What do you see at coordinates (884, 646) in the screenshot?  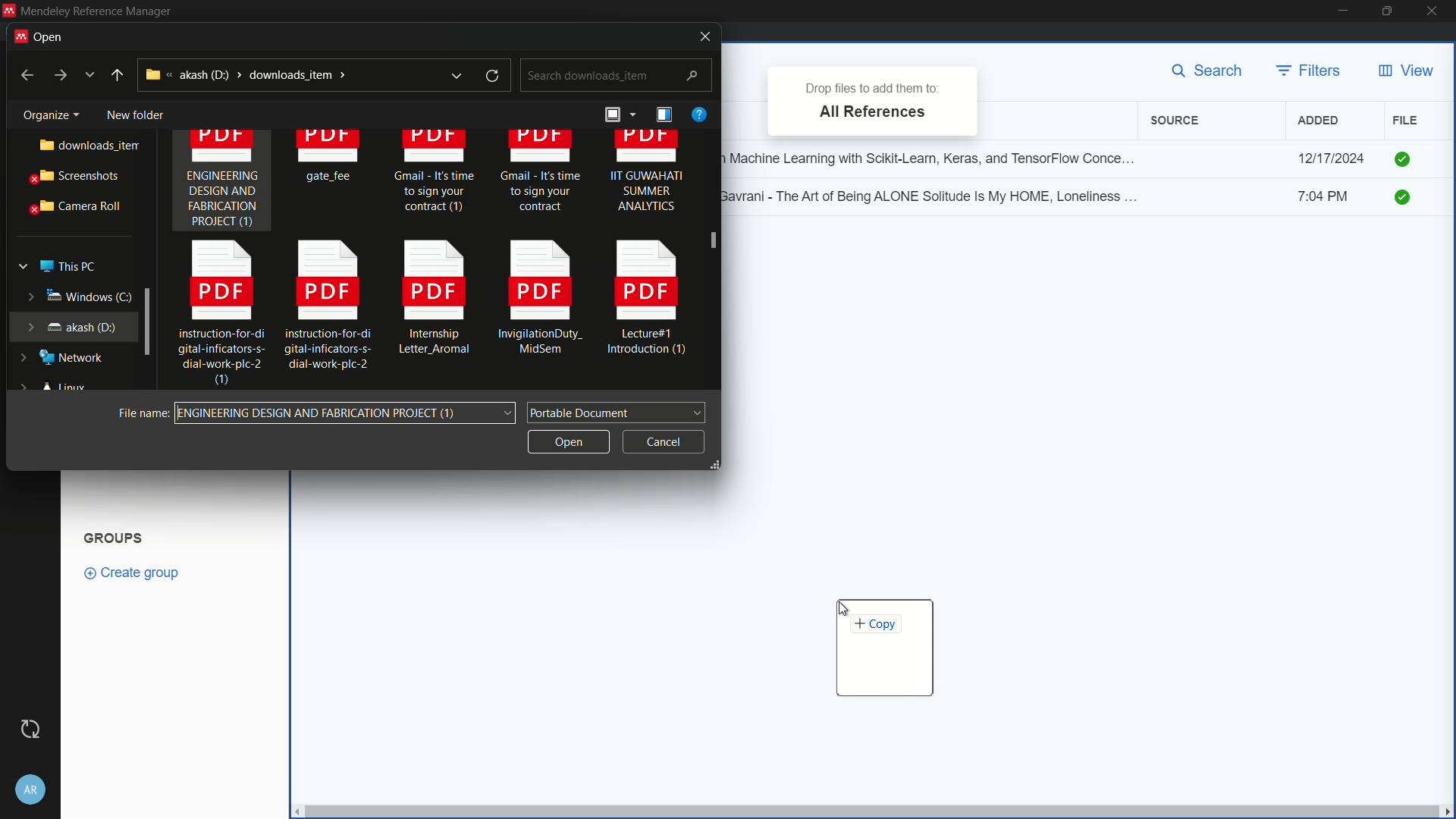 I see `+ Copy` at bounding box center [884, 646].